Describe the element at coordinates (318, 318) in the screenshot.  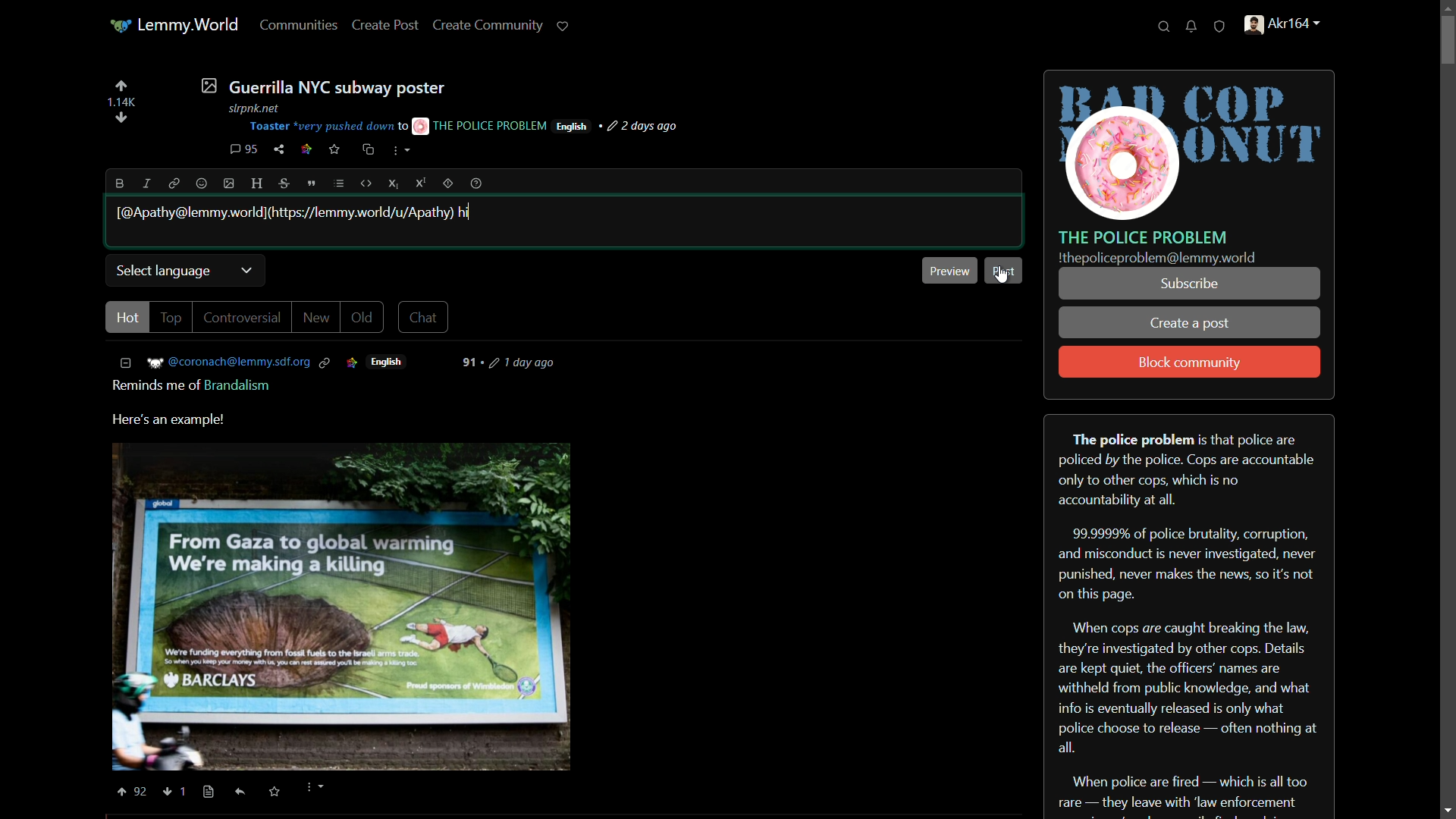
I see `New |` at that location.